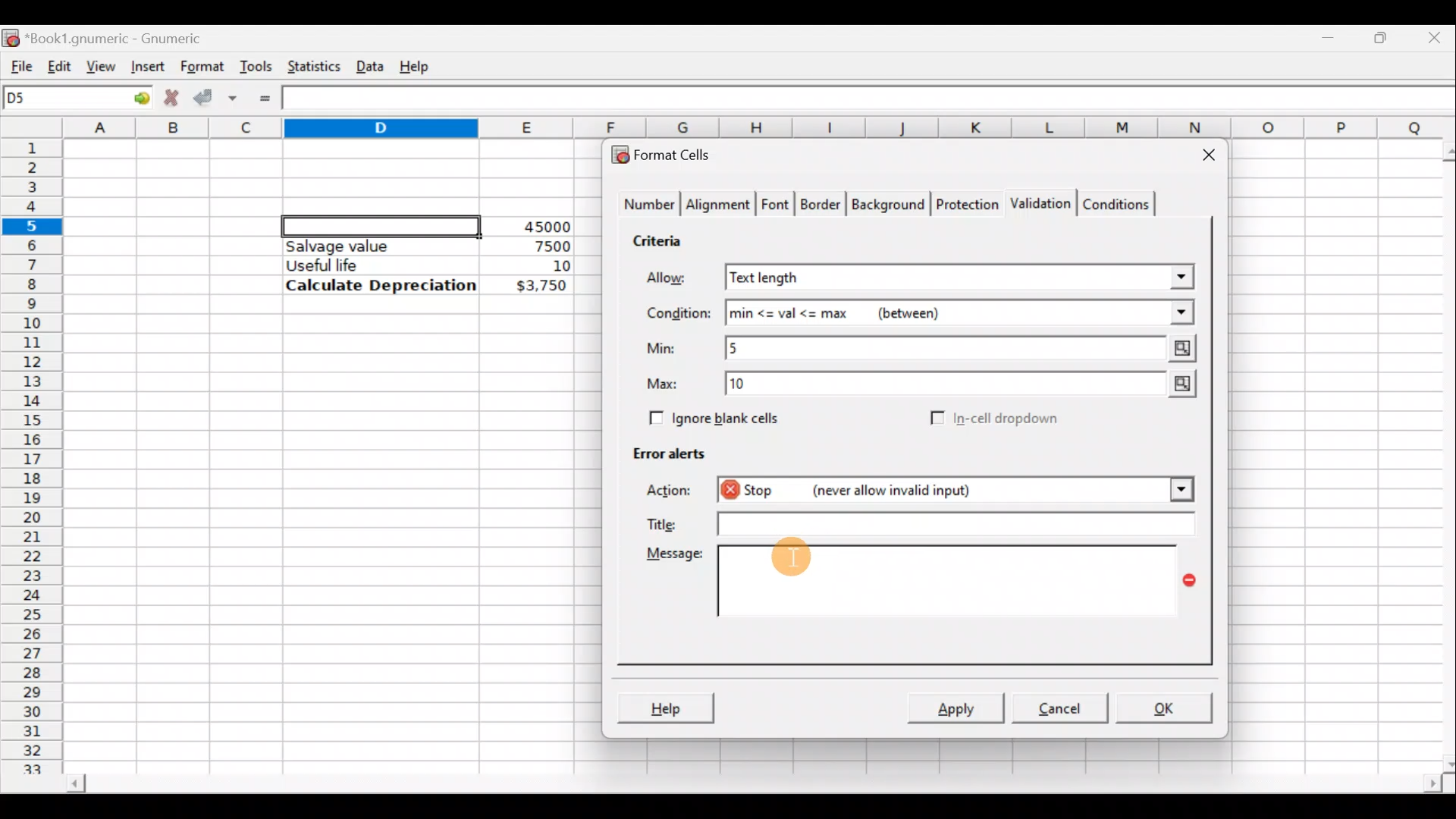 The image size is (1456, 819). Describe the element at coordinates (528, 245) in the screenshot. I see `7500` at that location.